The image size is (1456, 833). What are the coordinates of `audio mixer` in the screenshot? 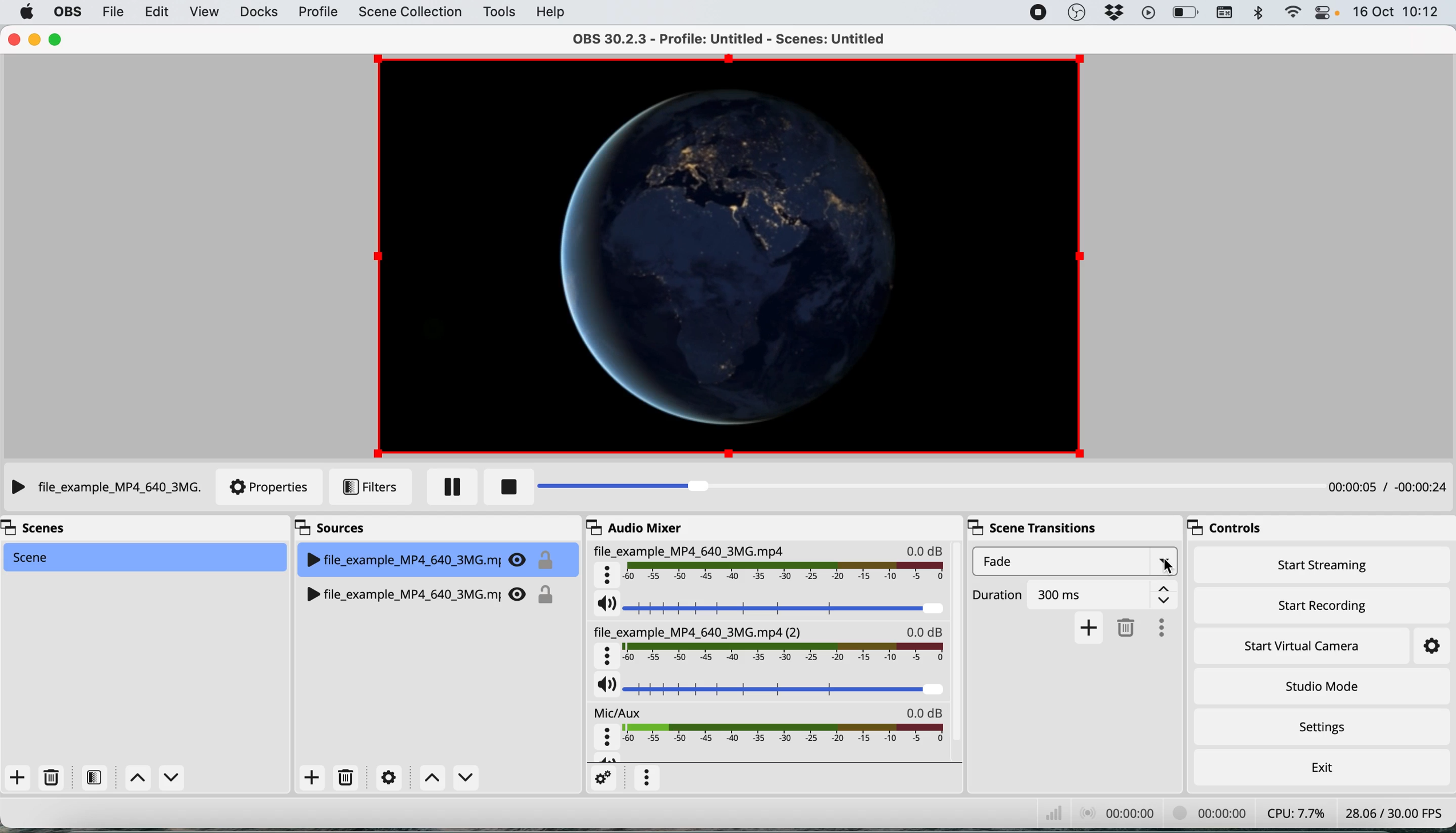 It's located at (632, 526).